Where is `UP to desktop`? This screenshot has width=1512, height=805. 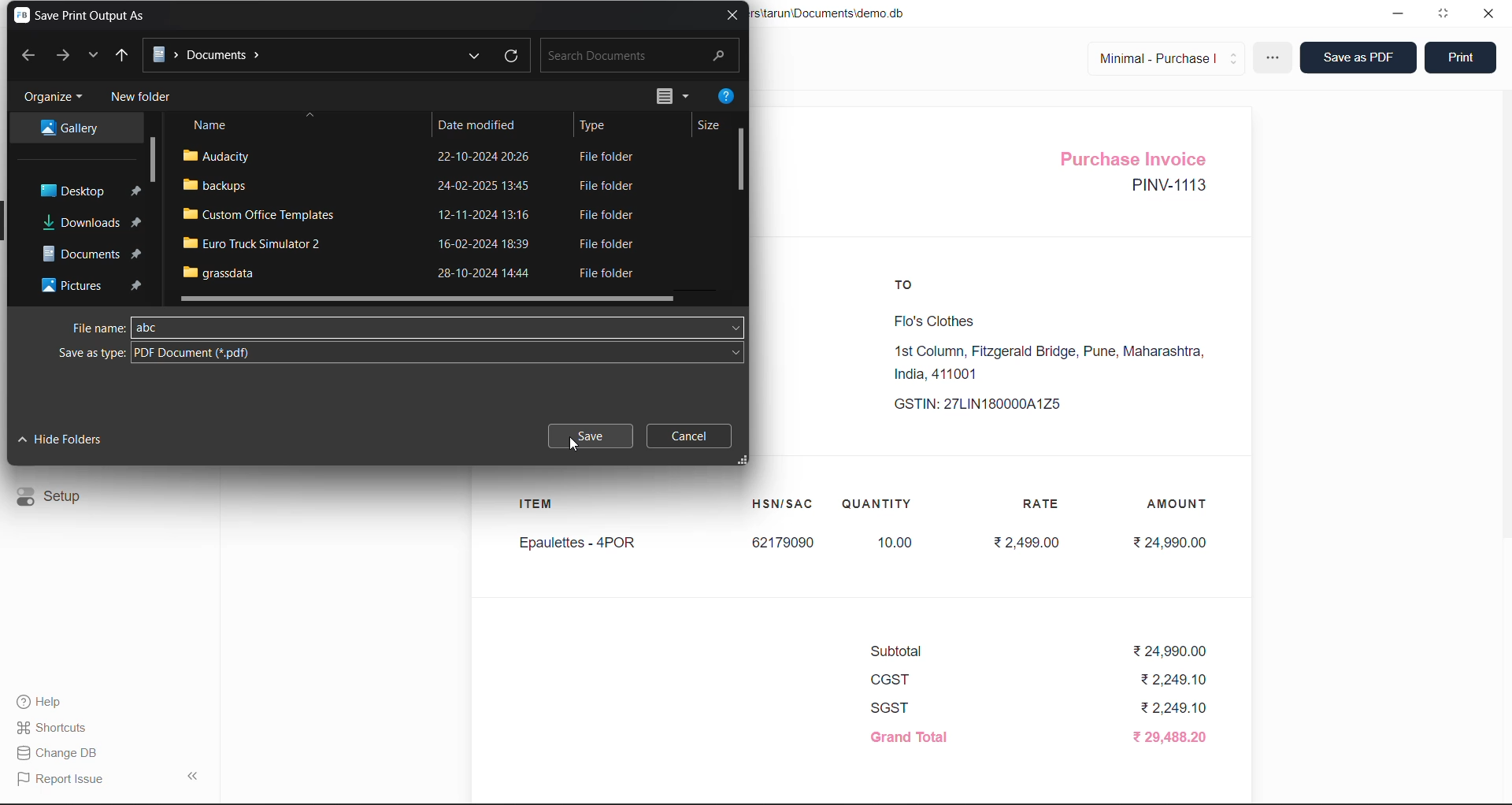
UP to desktop is located at coordinates (126, 54).